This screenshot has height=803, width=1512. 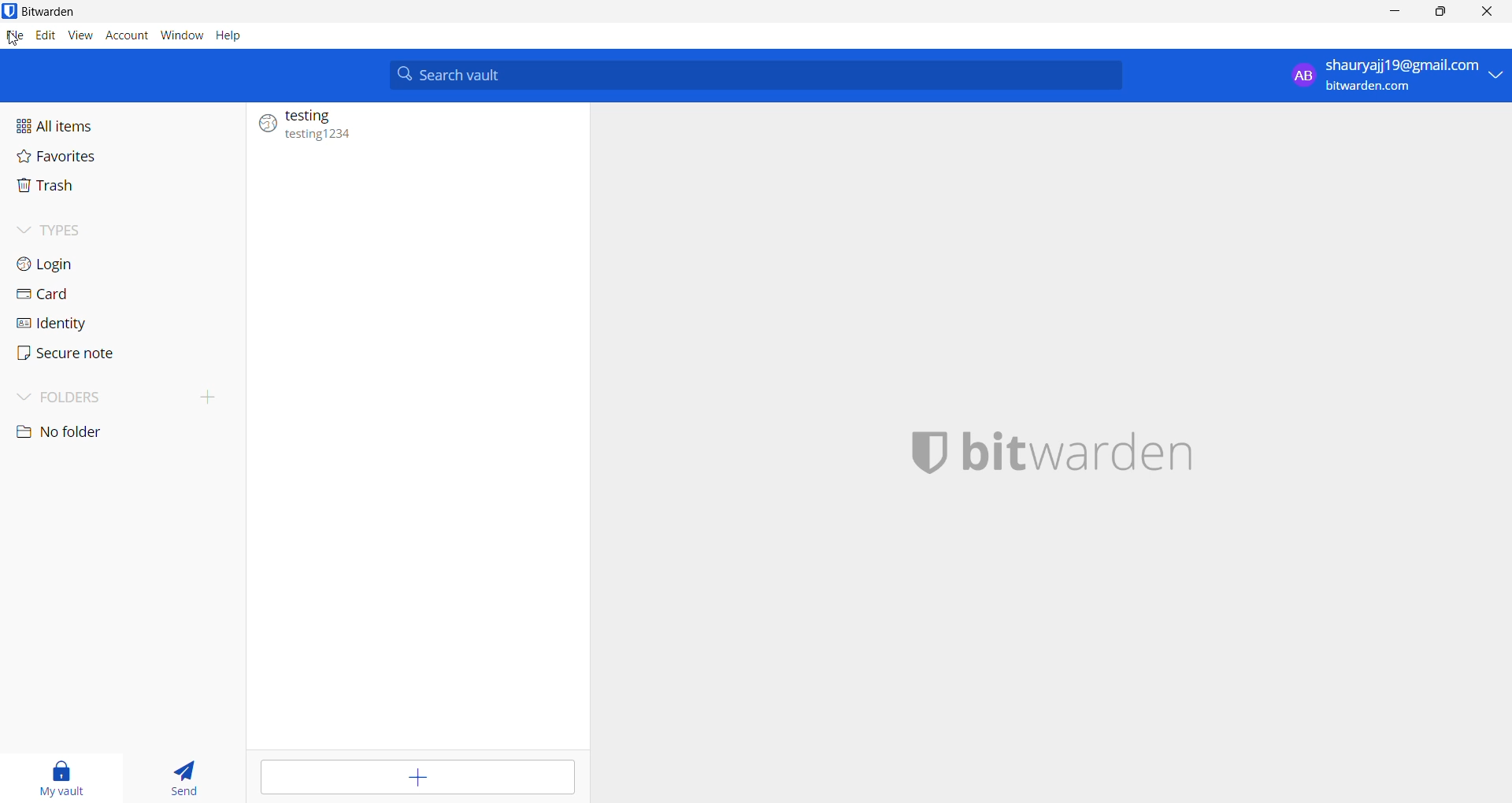 What do you see at coordinates (57, 779) in the screenshot?
I see `my vault` at bounding box center [57, 779].